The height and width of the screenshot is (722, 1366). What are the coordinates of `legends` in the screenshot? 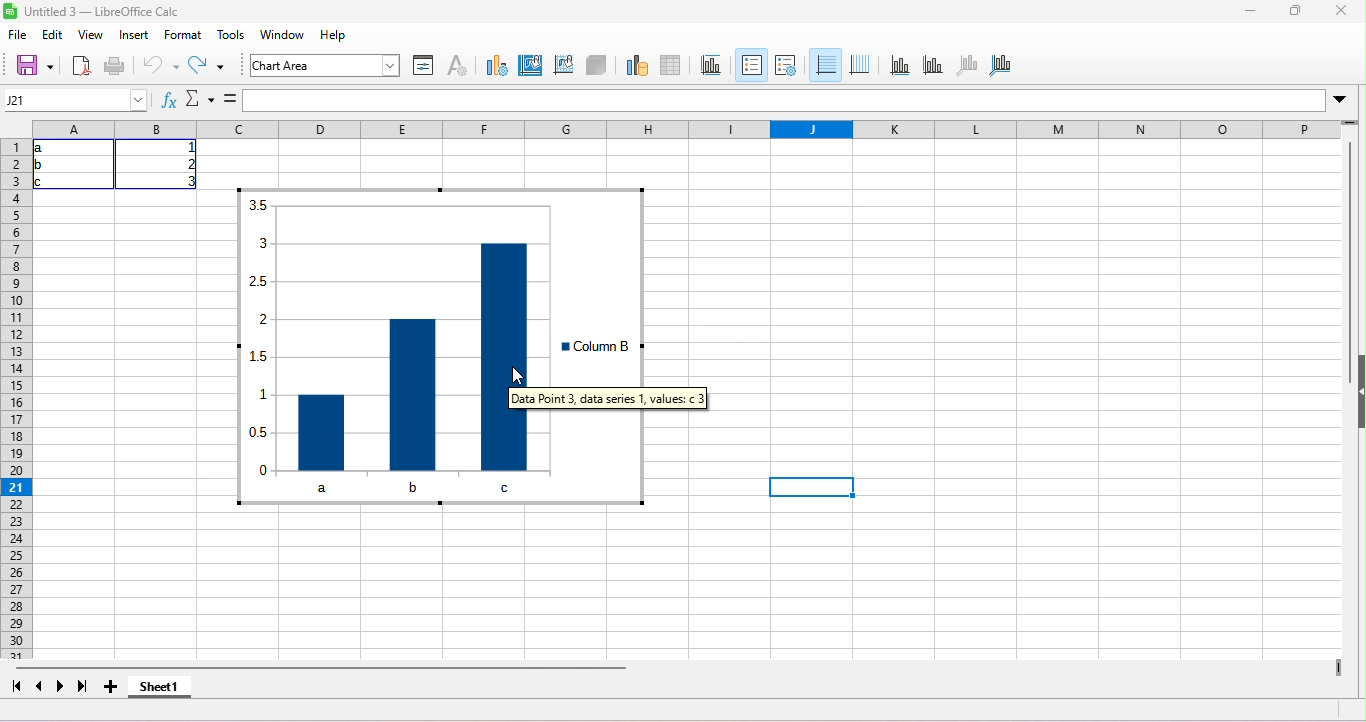 It's located at (786, 64).